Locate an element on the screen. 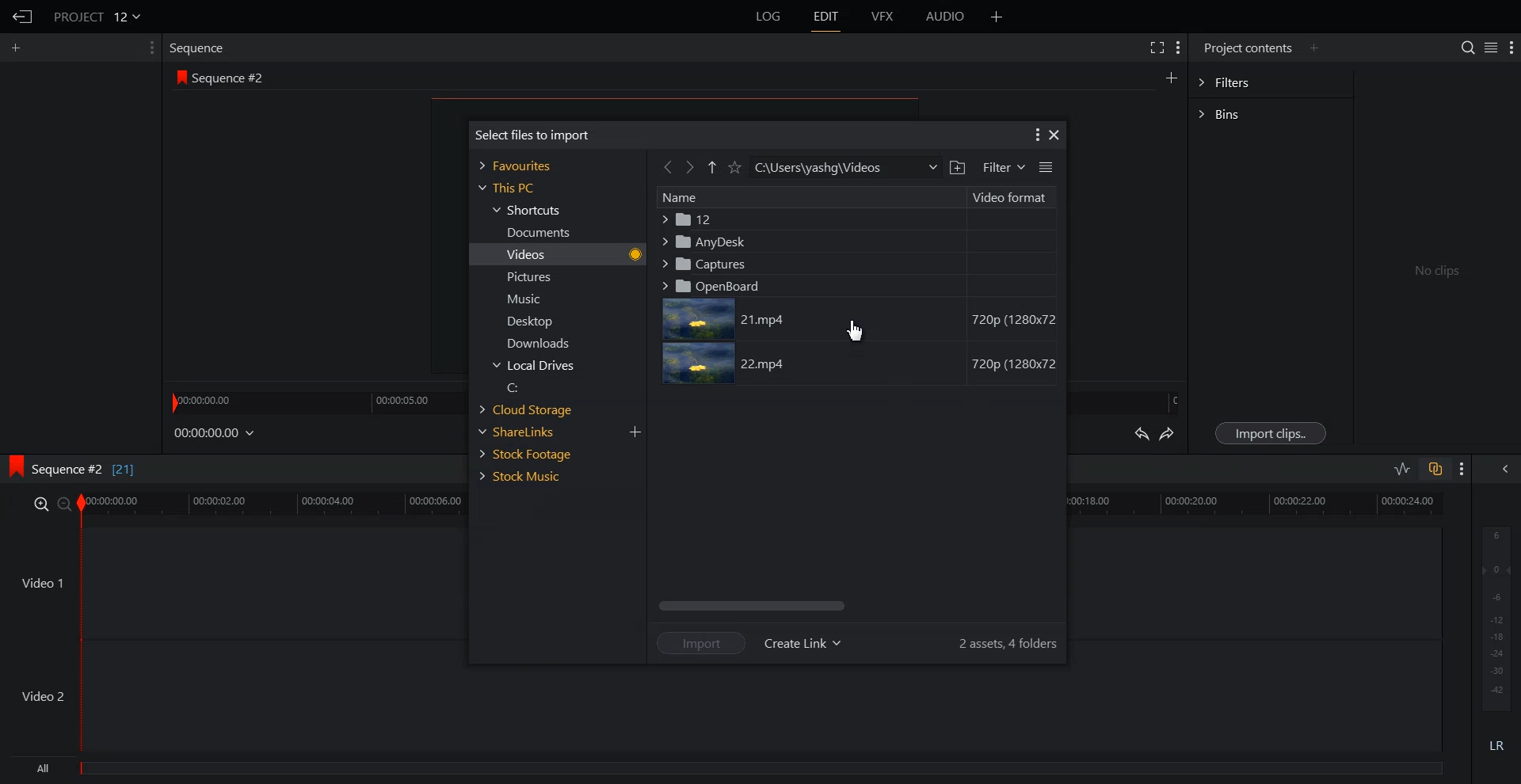 Image resolution: width=1521 pixels, height=784 pixels. Full Screen is located at coordinates (1158, 48).